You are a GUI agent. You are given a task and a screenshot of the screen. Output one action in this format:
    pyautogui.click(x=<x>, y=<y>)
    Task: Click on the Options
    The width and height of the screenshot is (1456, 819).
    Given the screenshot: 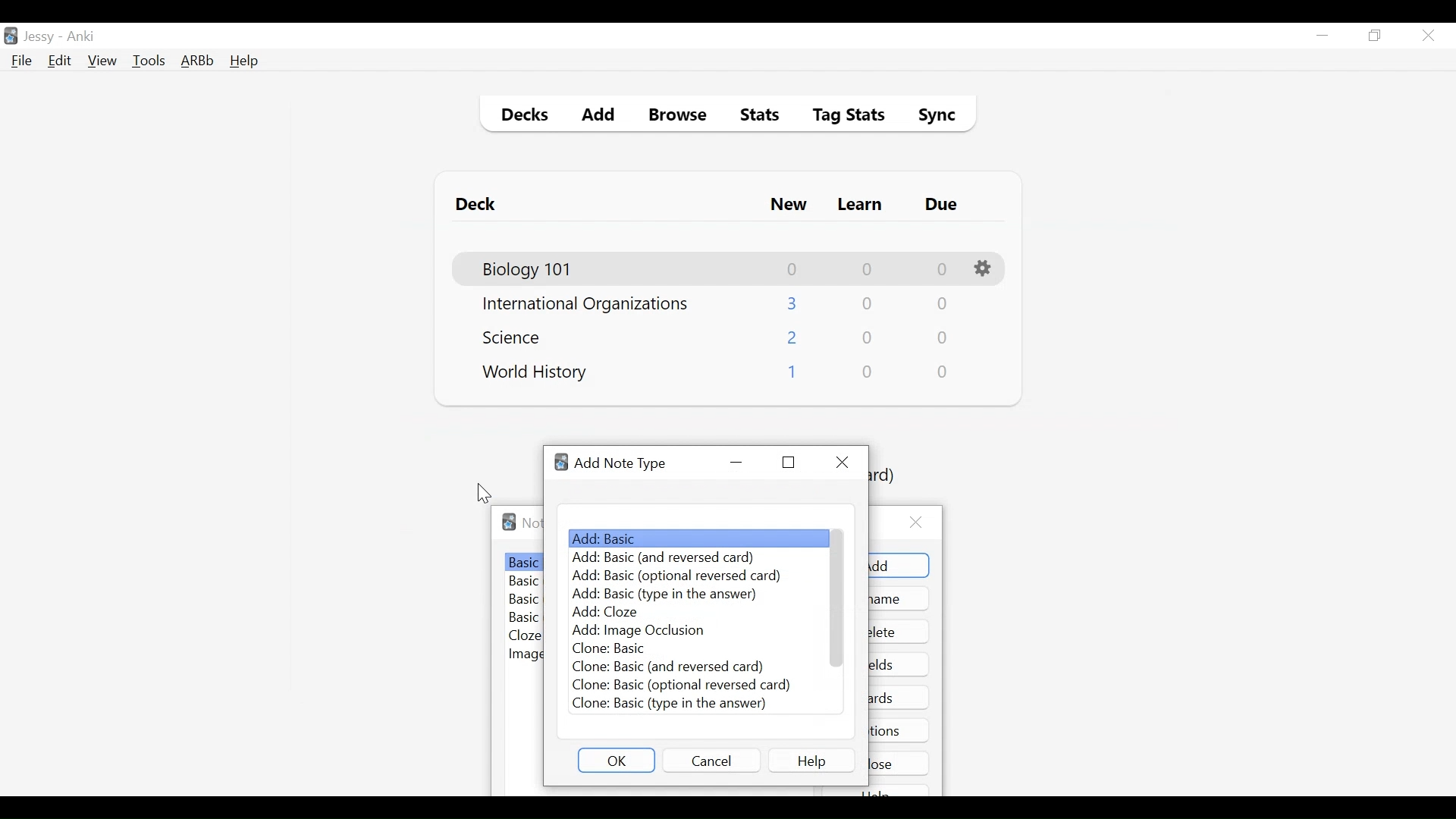 What is the action you would take?
    pyautogui.click(x=899, y=730)
    